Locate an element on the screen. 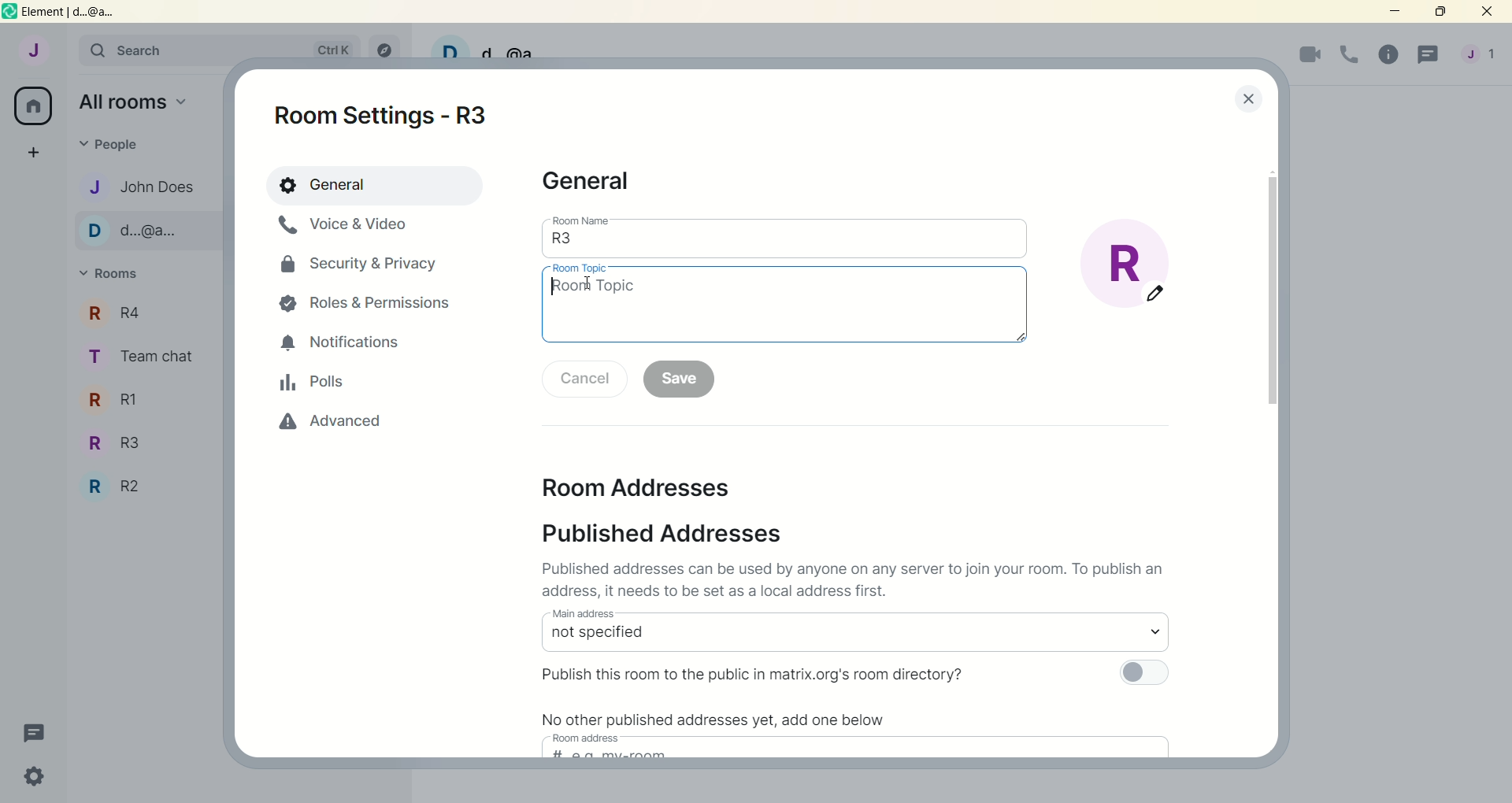  notifications is located at coordinates (341, 346).